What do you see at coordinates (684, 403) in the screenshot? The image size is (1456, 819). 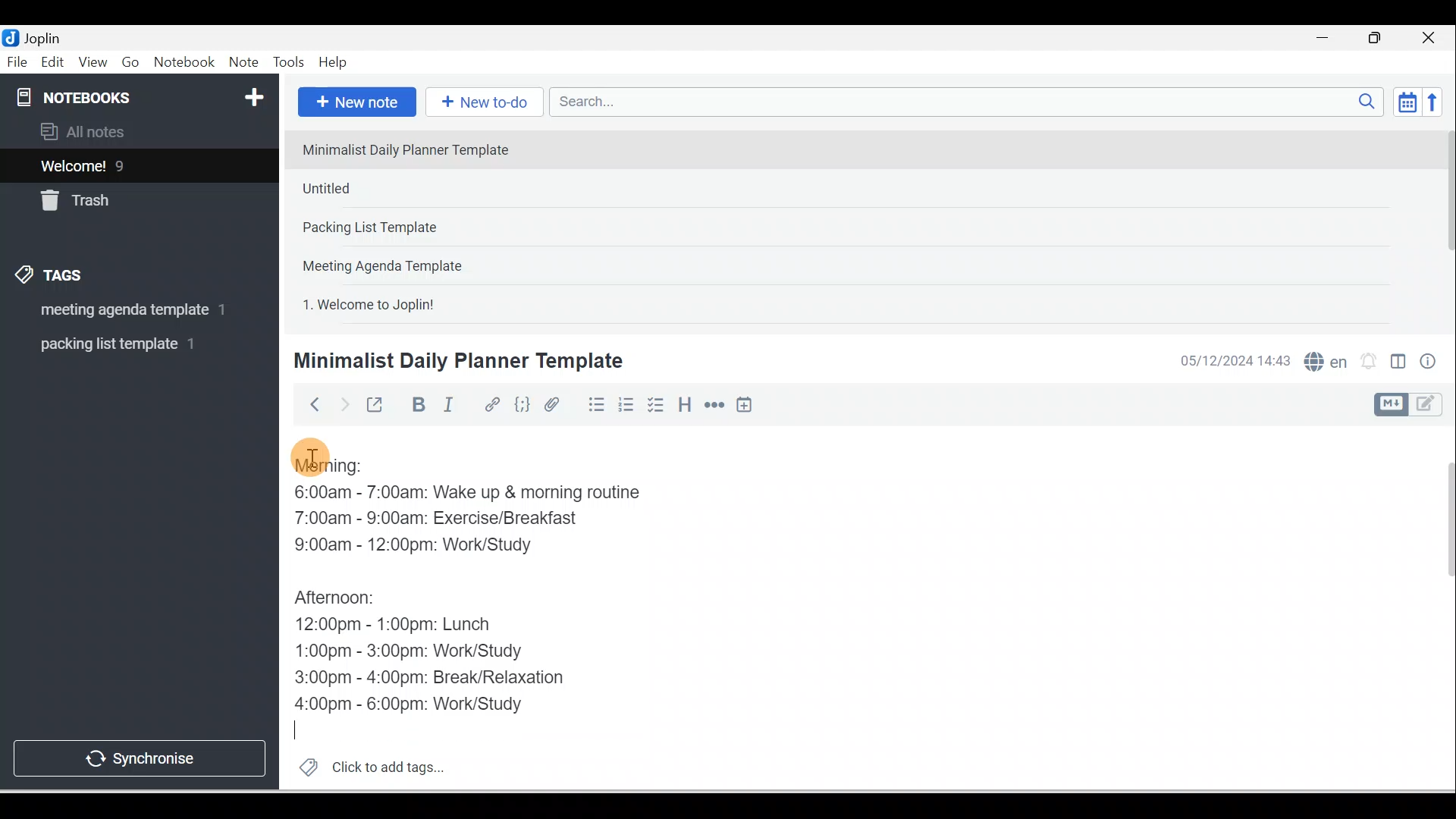 I see `Heading` at bounding box center [684, 403].